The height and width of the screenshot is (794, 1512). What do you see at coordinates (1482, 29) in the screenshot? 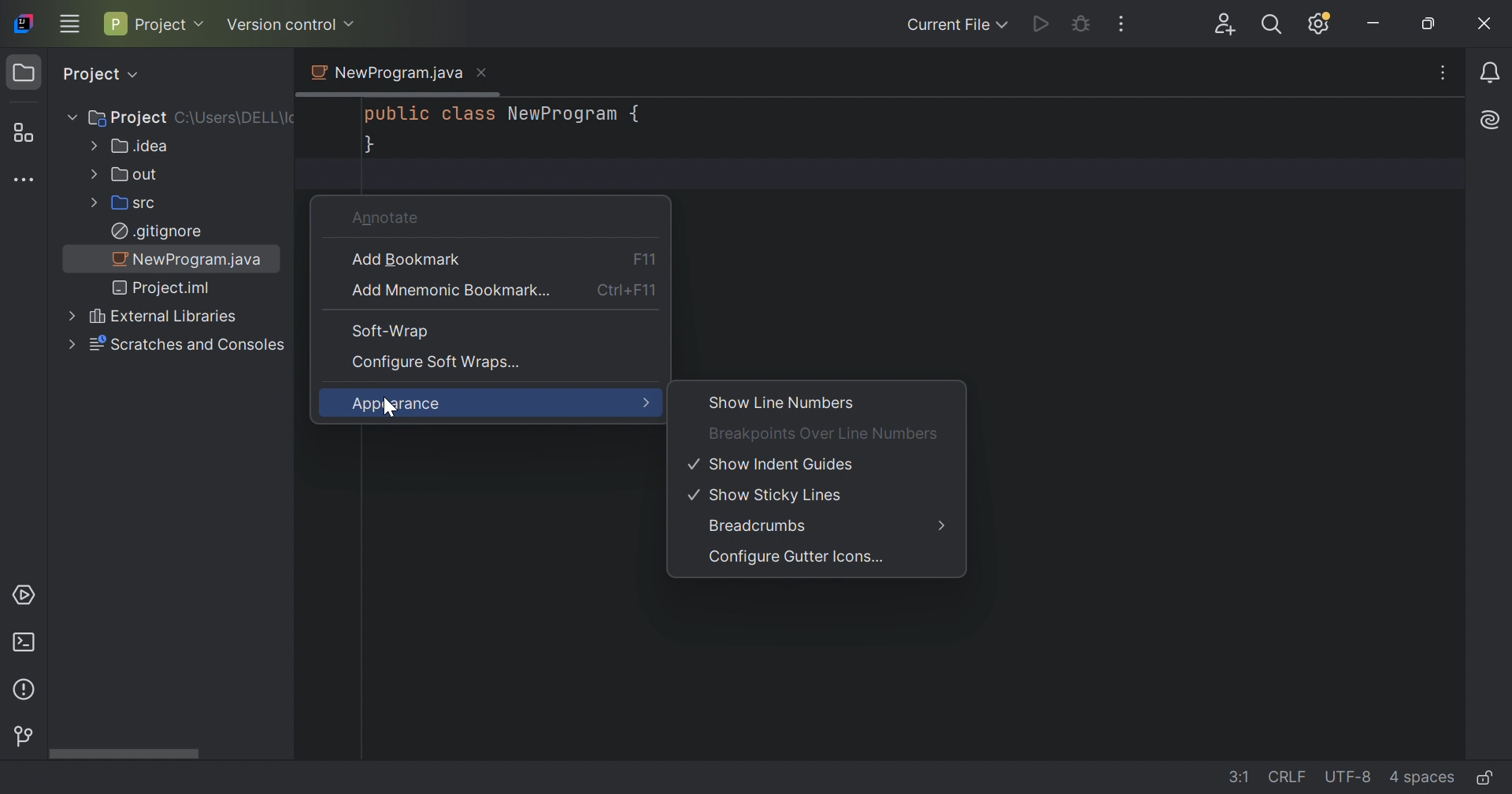
I see `Close` at bounding box center [1482, 29].